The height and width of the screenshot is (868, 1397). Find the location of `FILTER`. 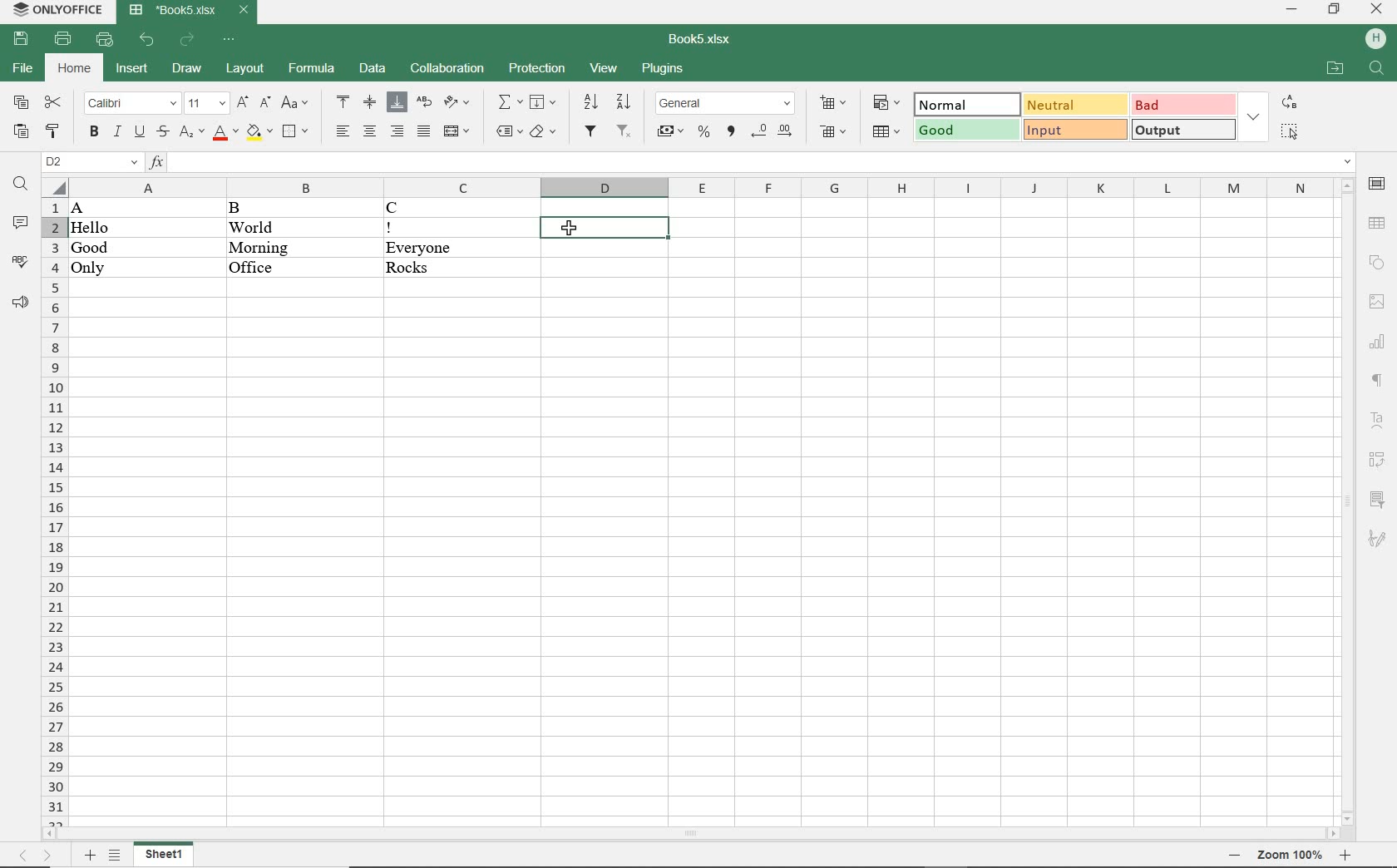

FILTER is located at coordinates (590, 131).